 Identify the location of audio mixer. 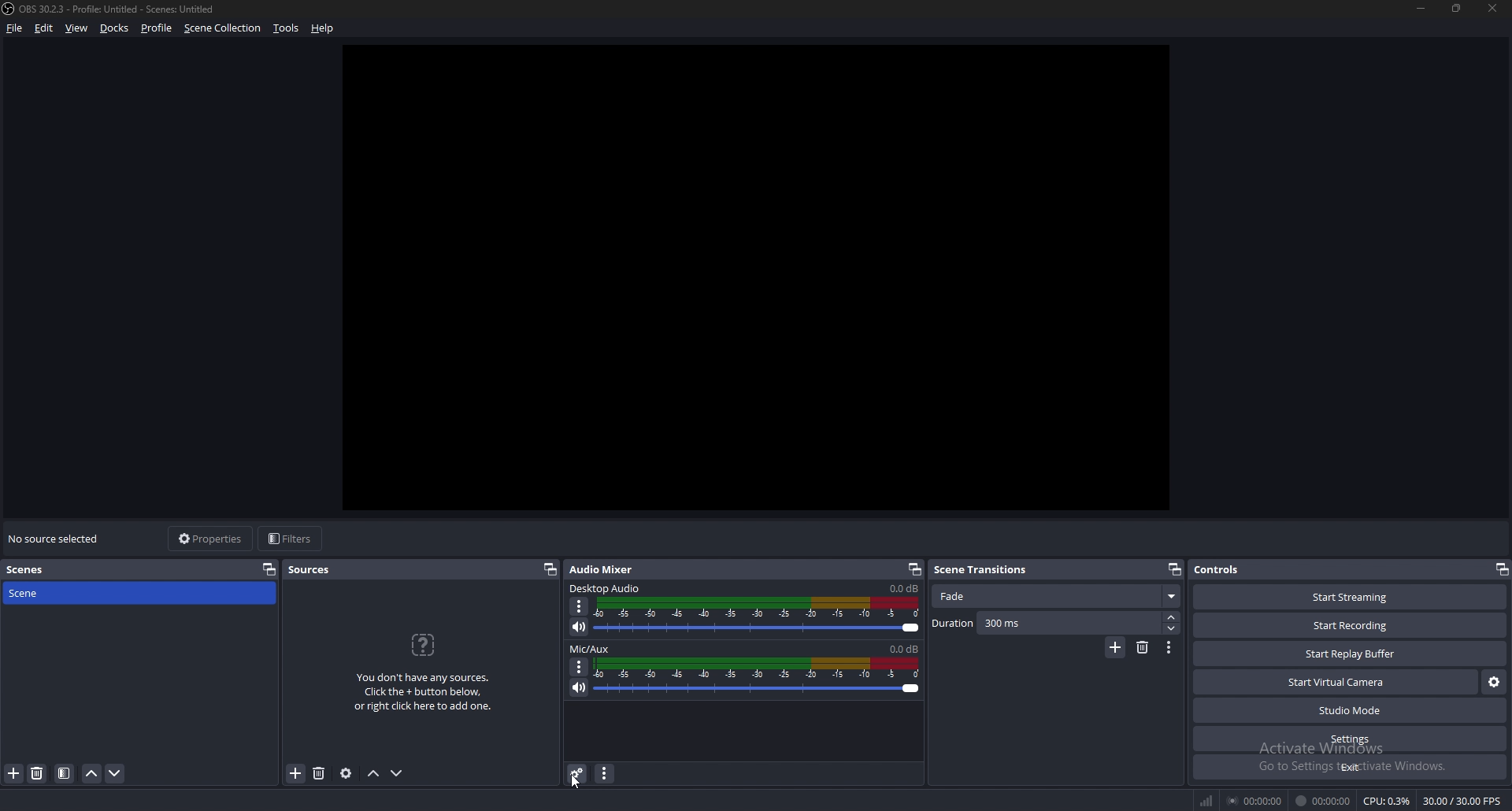
(607, 570).